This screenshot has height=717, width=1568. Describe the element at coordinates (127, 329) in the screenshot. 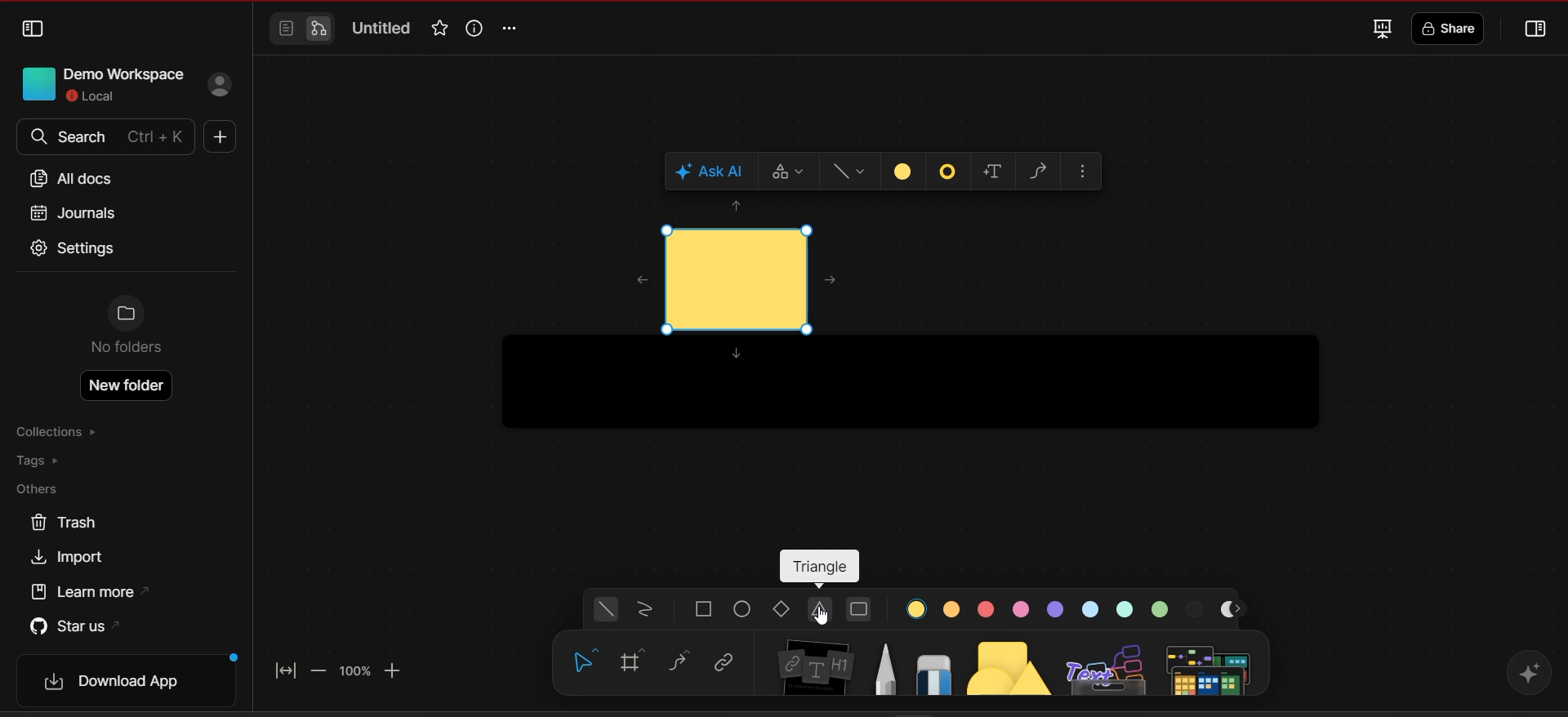

I see `No folders` at that location.